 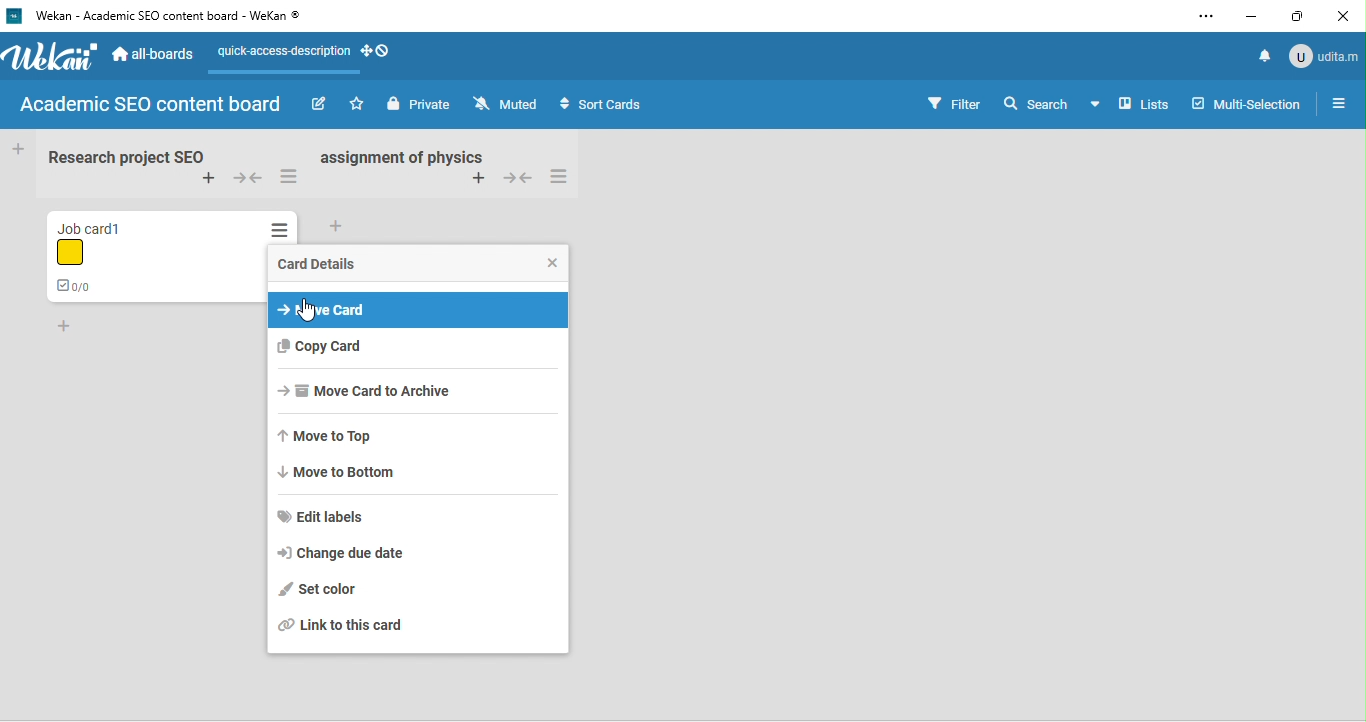 What do you see at coordinates (289, 176) in the screenshot?
I see `list actions` at bounding box center [289, 176].